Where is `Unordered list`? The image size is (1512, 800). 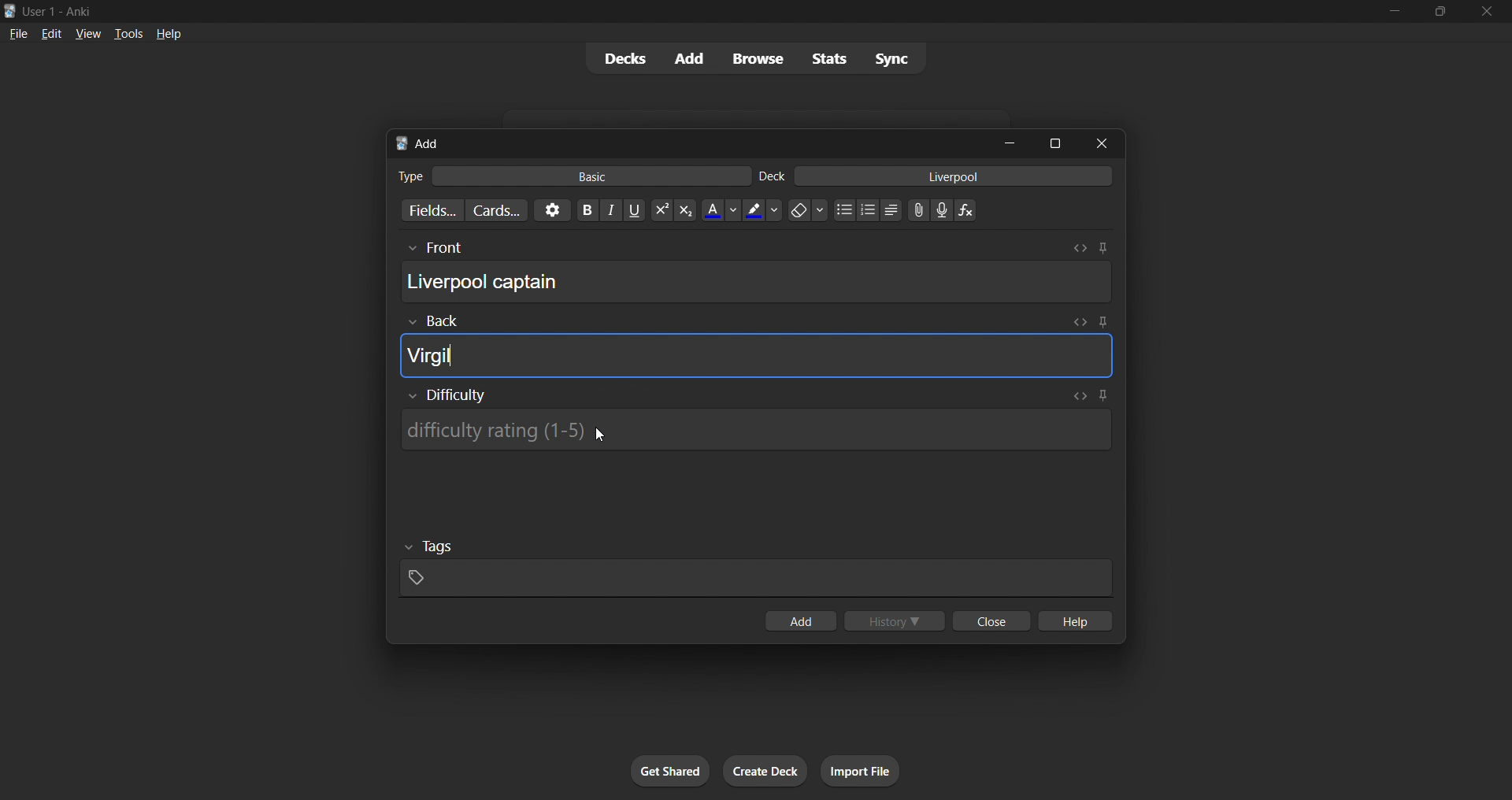 Unordered list is located at coordinates (845, 209).